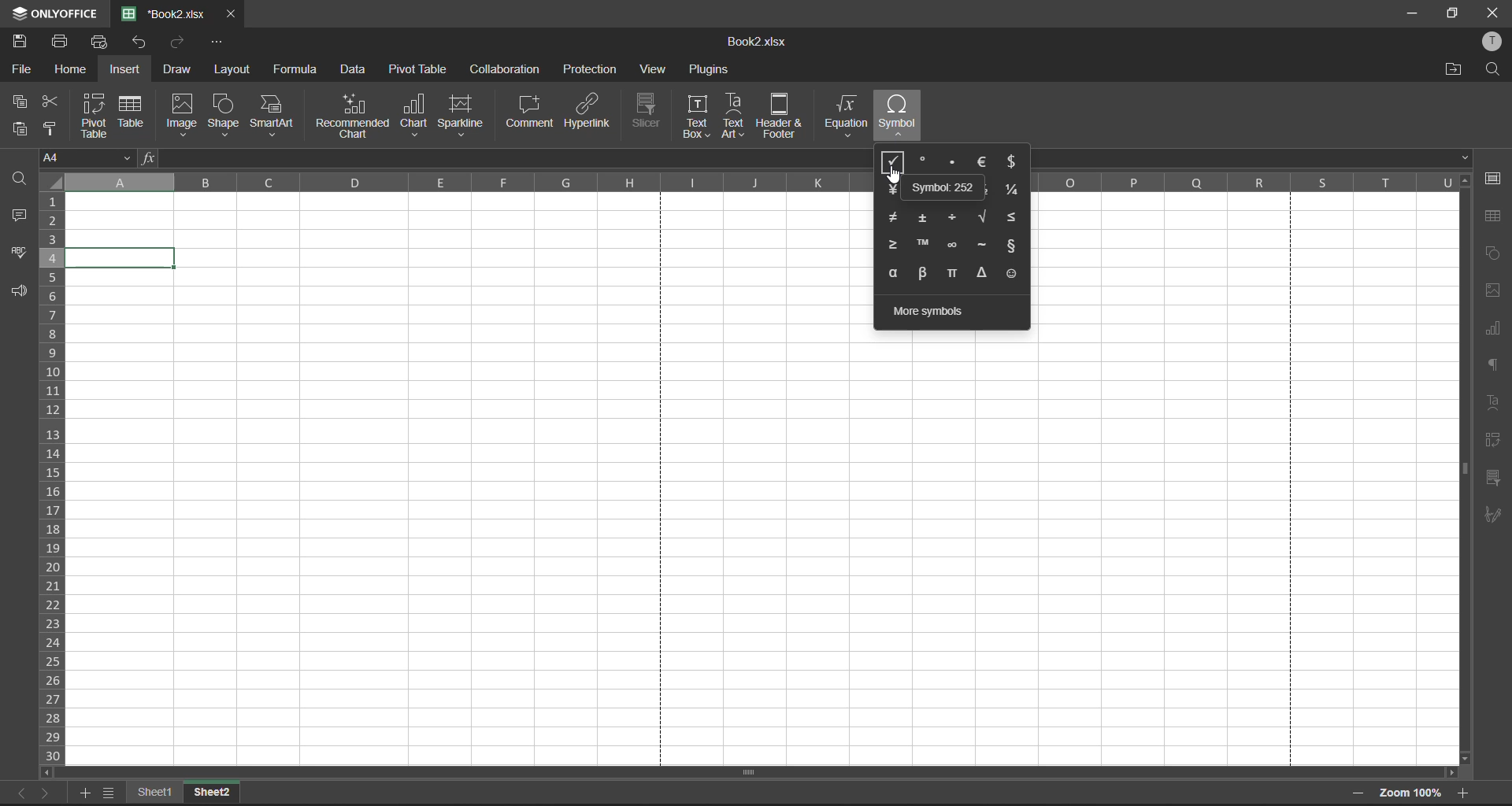 The width and height of the screenshot is (1512, 806). I want to click on Book2.xlsx, so click(752, 42).